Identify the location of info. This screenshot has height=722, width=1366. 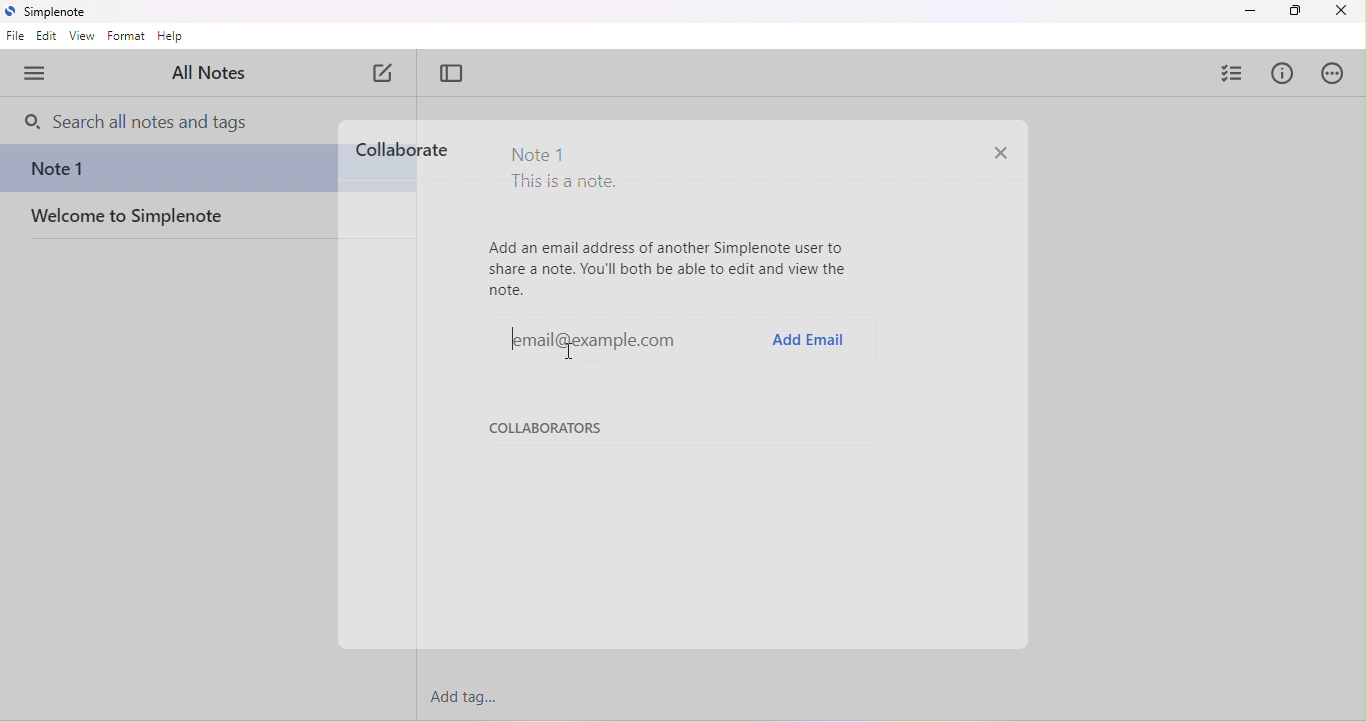
(1281, 73).